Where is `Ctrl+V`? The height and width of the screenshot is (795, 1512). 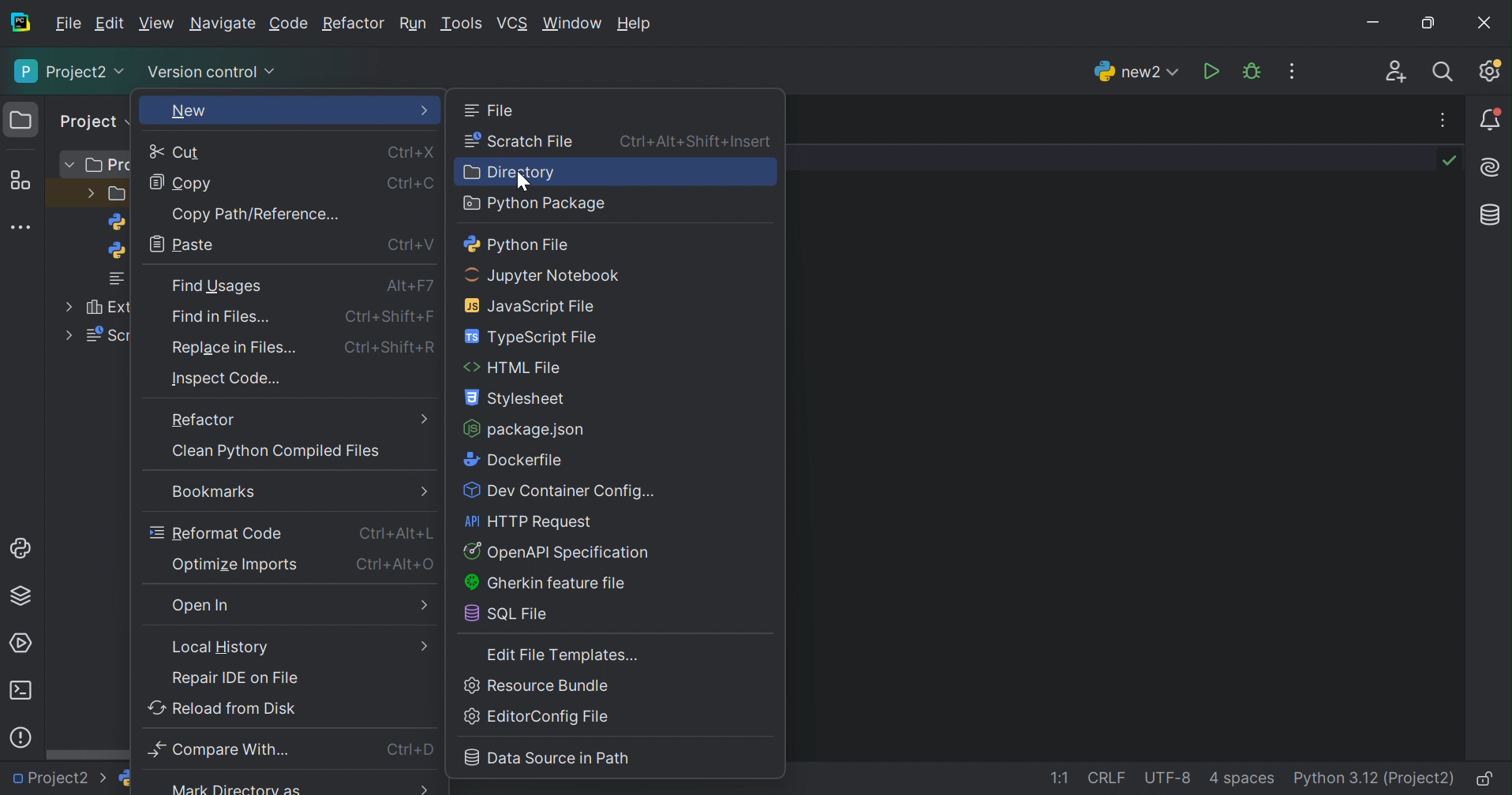 Ctrl+V is located at coordinates (412, 244).